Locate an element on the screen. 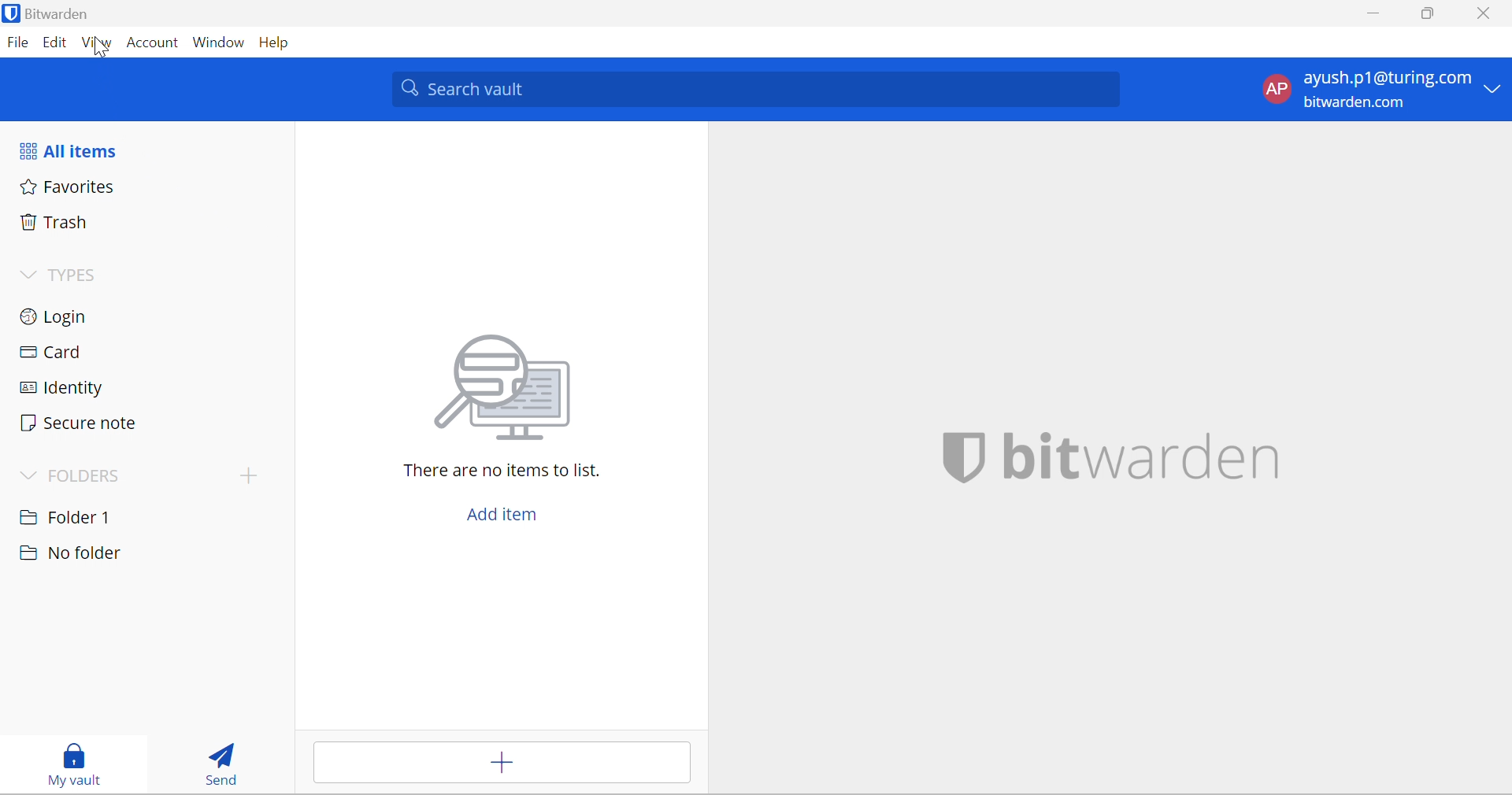 Image resolution: width=1512 pixels, height=795 pixels. All items is located at coordinates (77, 153).